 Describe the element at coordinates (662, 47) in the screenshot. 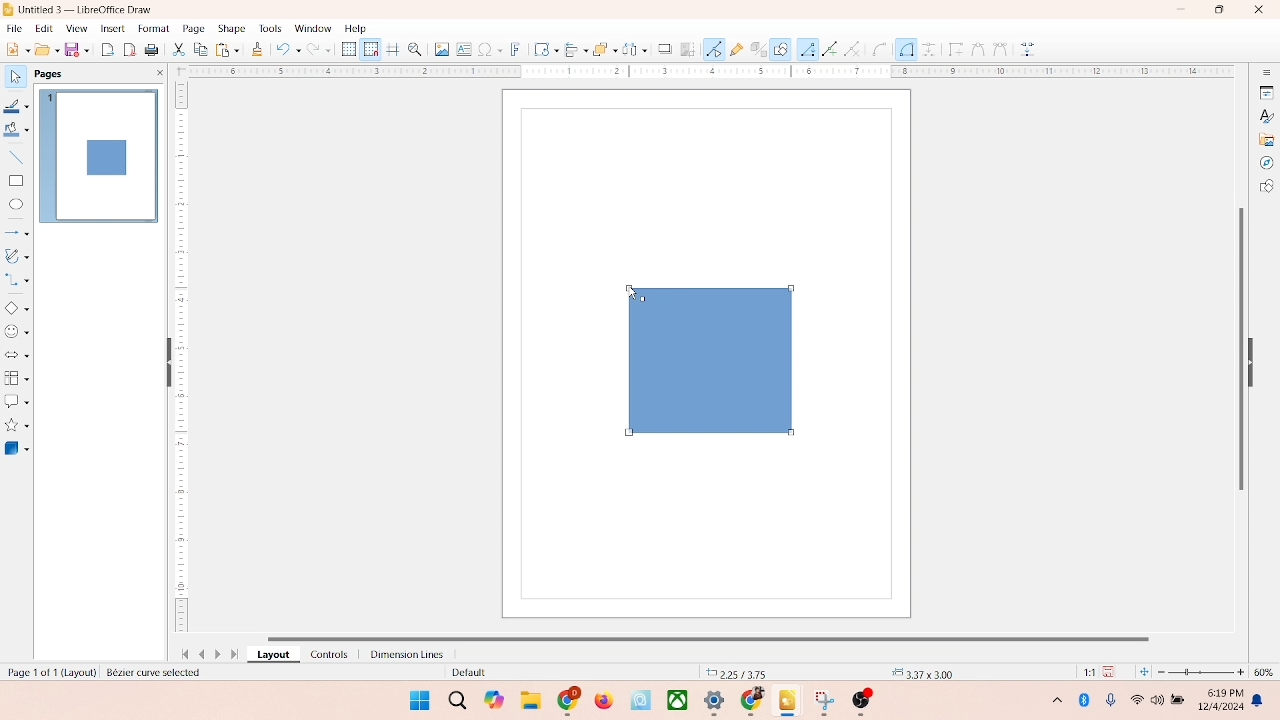

I see `shadow` at that location.